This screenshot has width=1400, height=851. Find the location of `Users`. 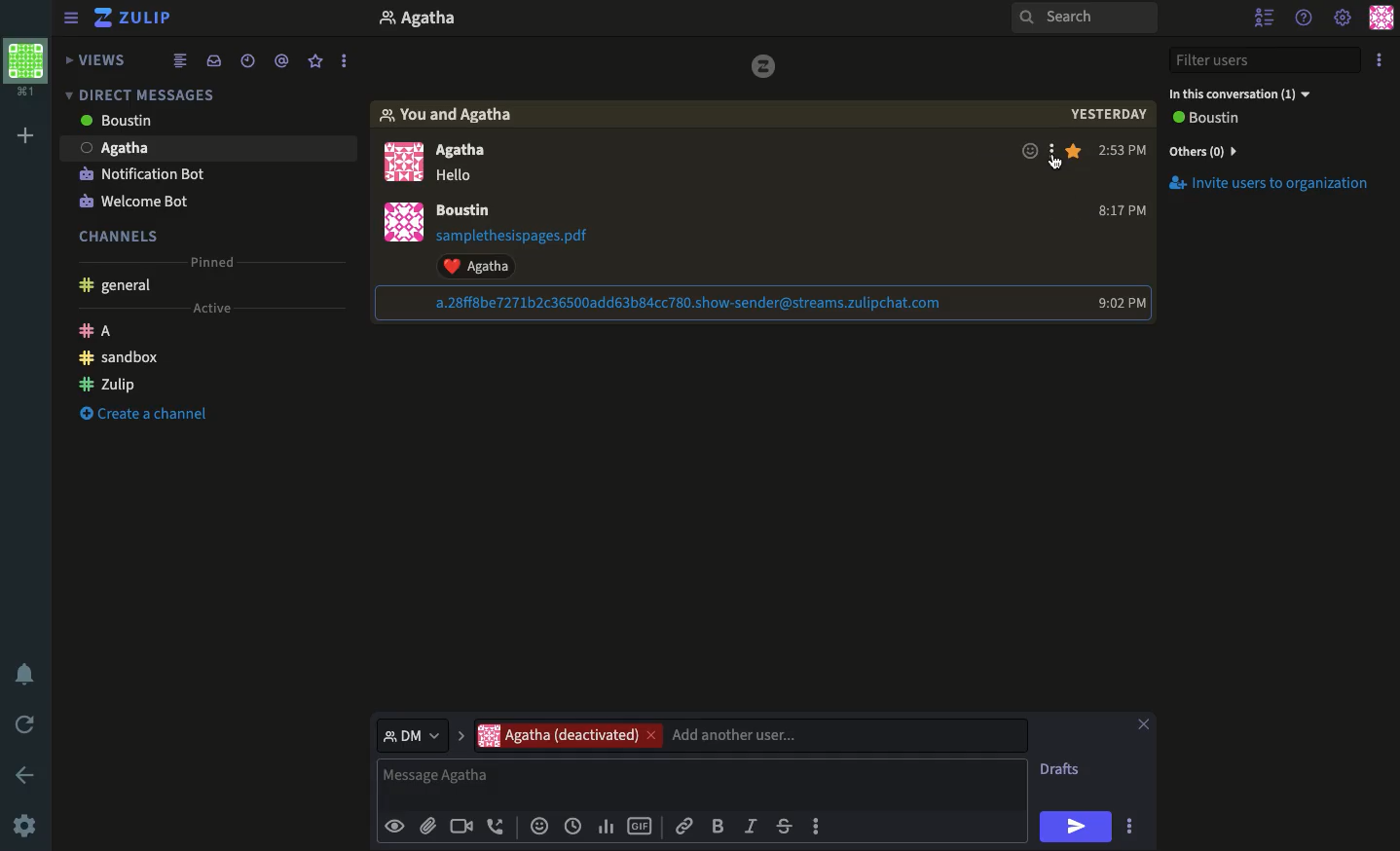

Users is located at coordinates (750, 735).